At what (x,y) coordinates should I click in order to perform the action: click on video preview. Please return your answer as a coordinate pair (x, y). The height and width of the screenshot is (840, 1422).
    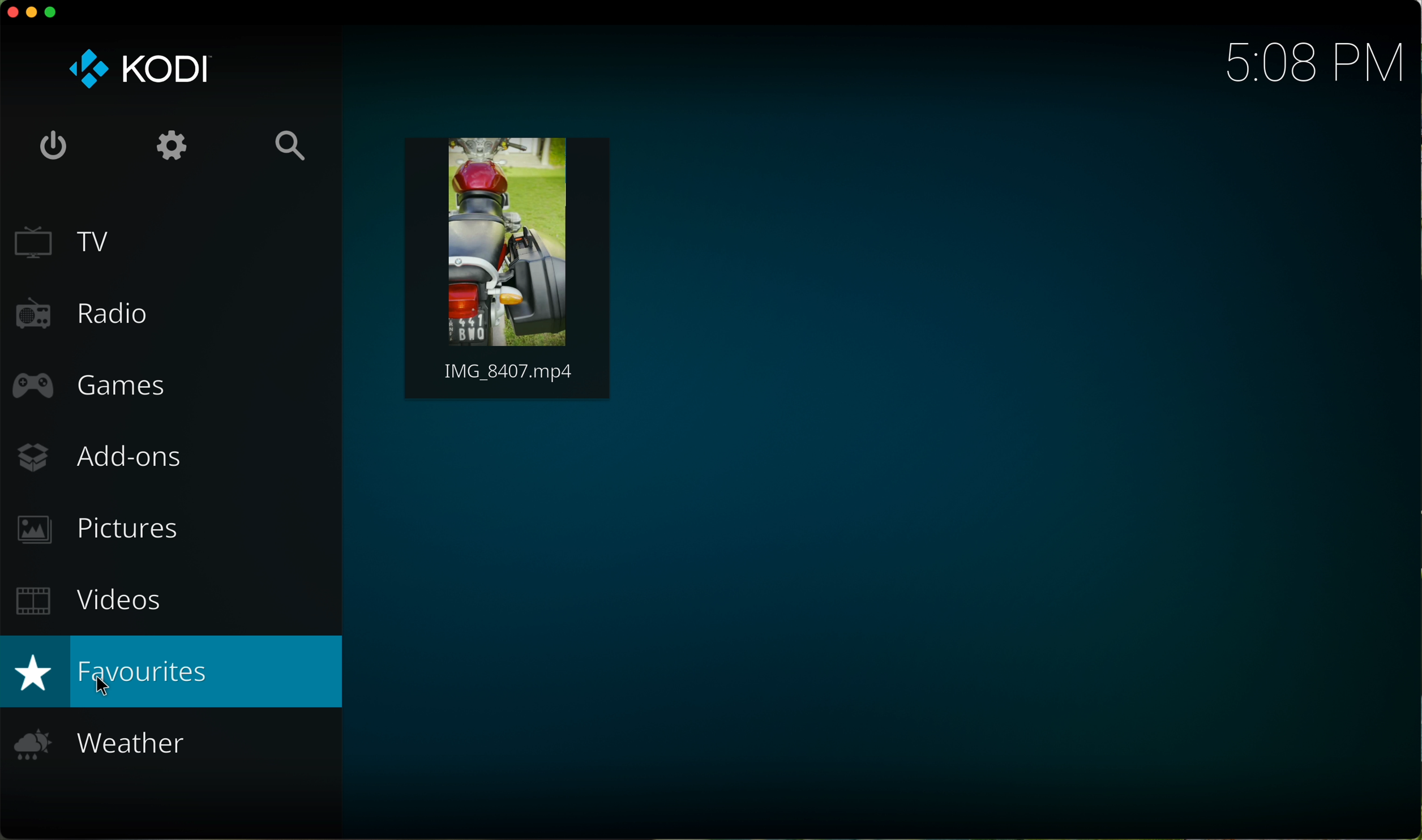
    Looking at the image, I should click on (507, 267).